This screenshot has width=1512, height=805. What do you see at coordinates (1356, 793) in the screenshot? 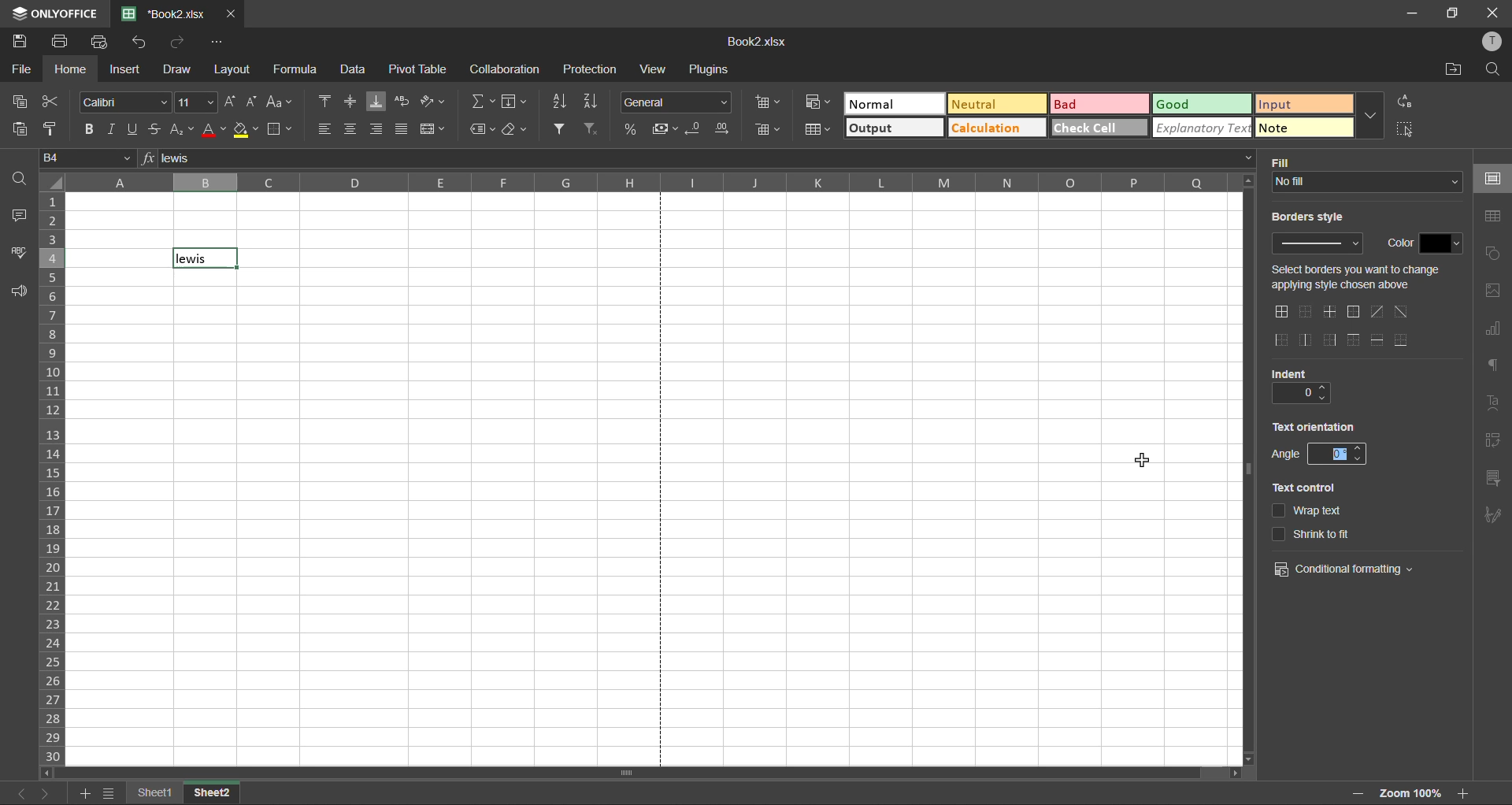
I see `zoom in` at bounding box center [1356, 793].